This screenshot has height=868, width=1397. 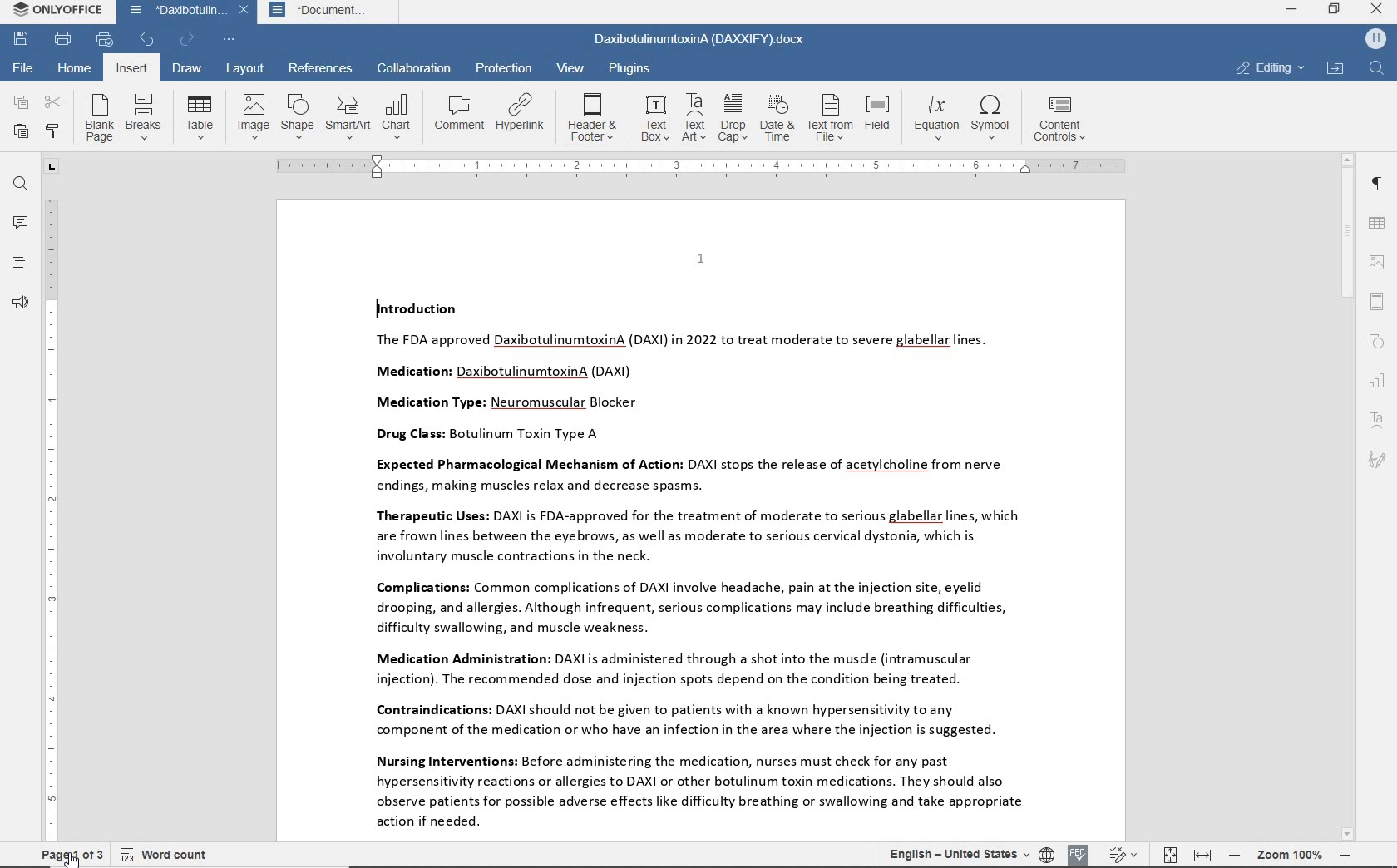 What do you see at coordinates (779, 118) in the screenshot?
I see `date & time` at bounding box center [779, 118].